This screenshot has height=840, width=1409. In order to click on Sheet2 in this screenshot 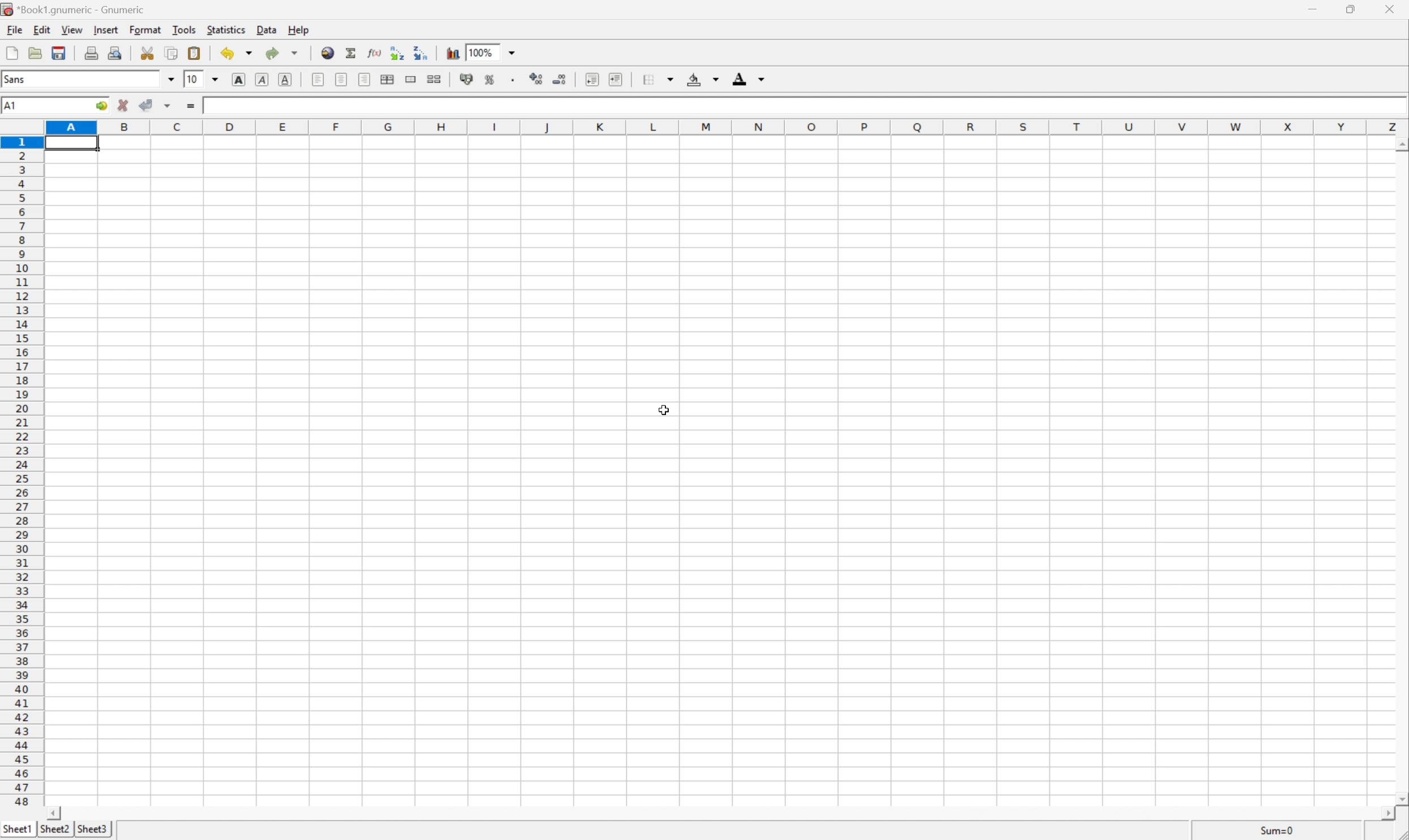, I will do `click(90, 830)`.